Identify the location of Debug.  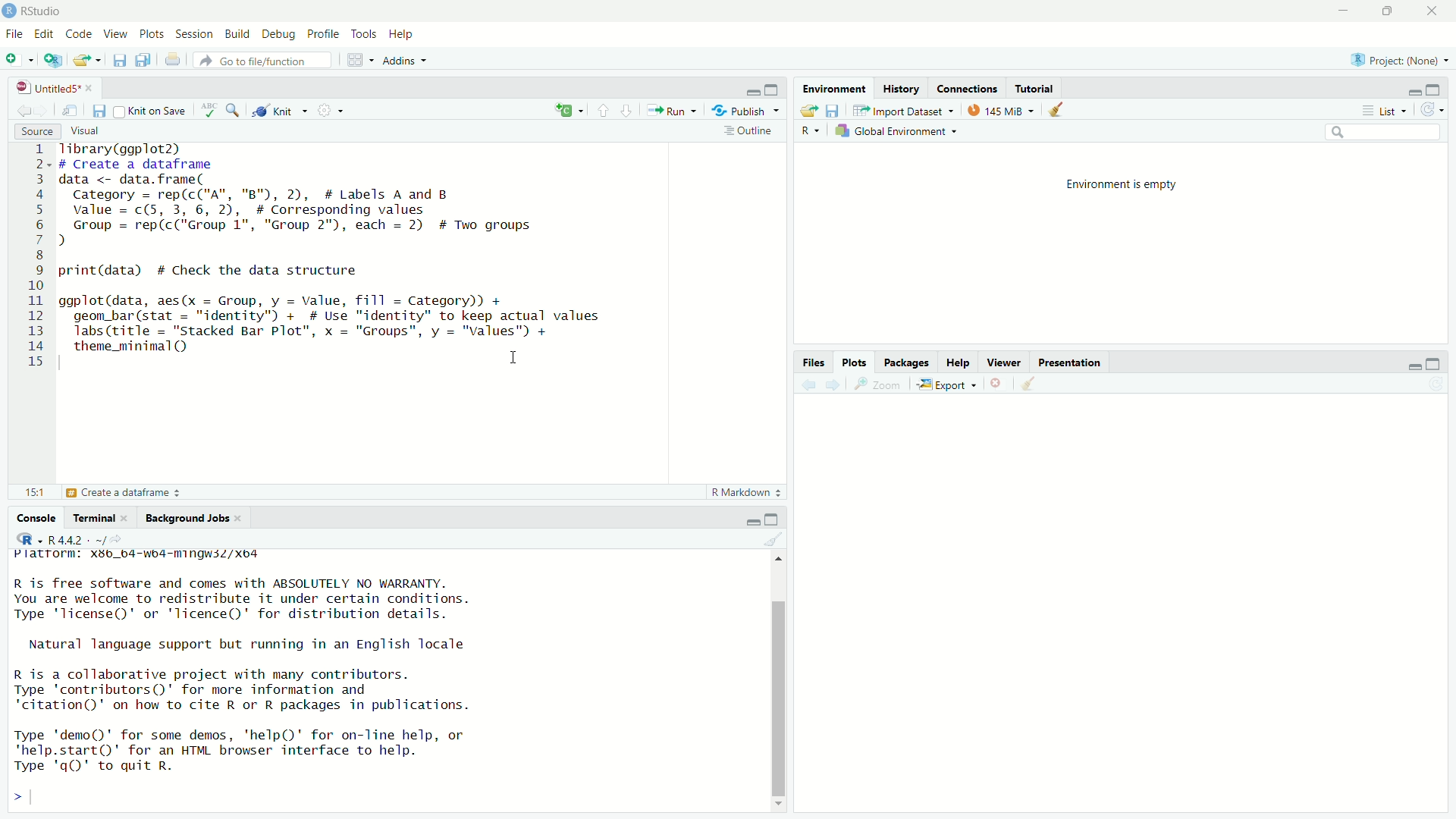
(278, 33).